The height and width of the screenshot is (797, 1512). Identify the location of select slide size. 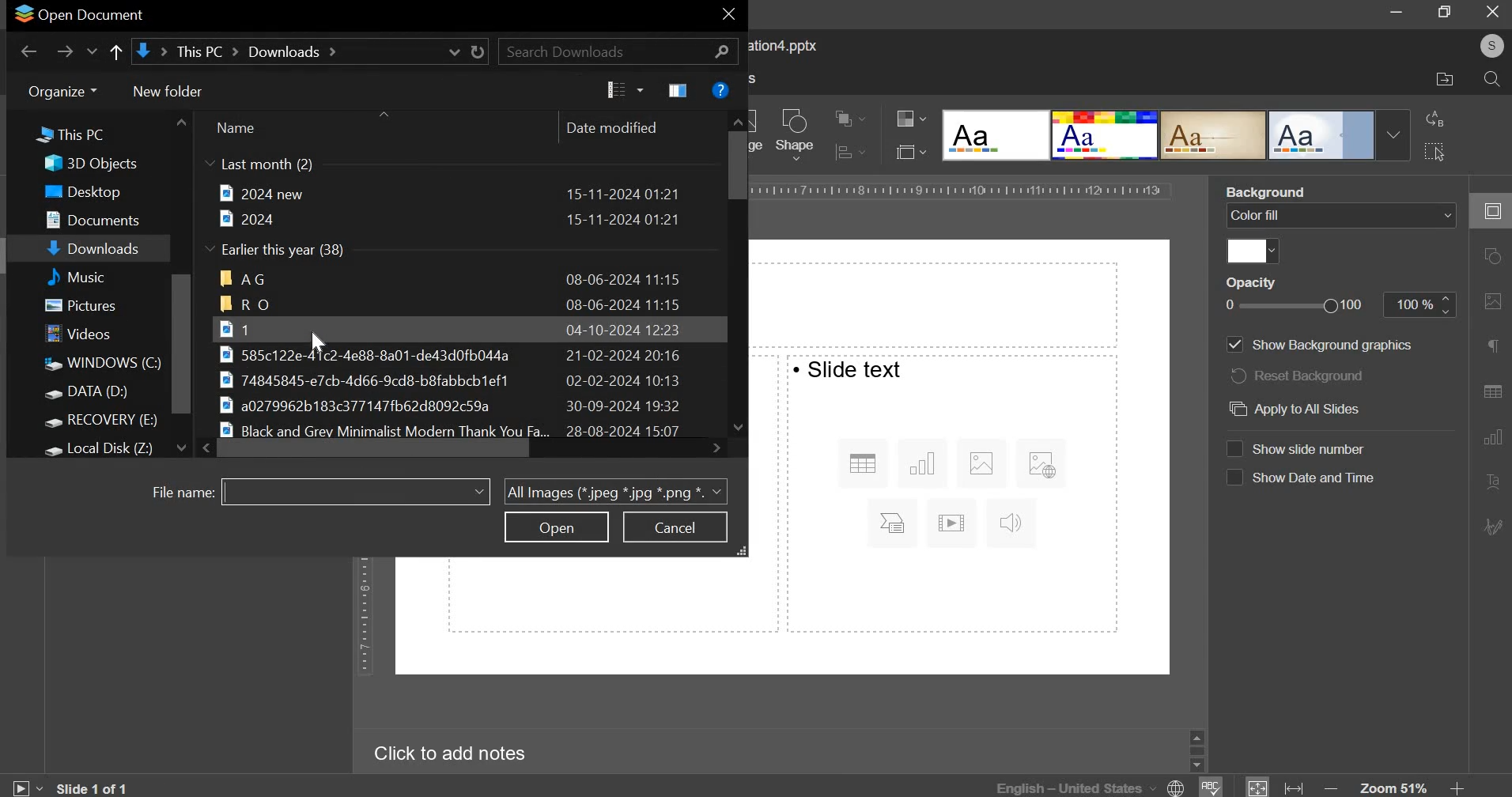
(907, 151).